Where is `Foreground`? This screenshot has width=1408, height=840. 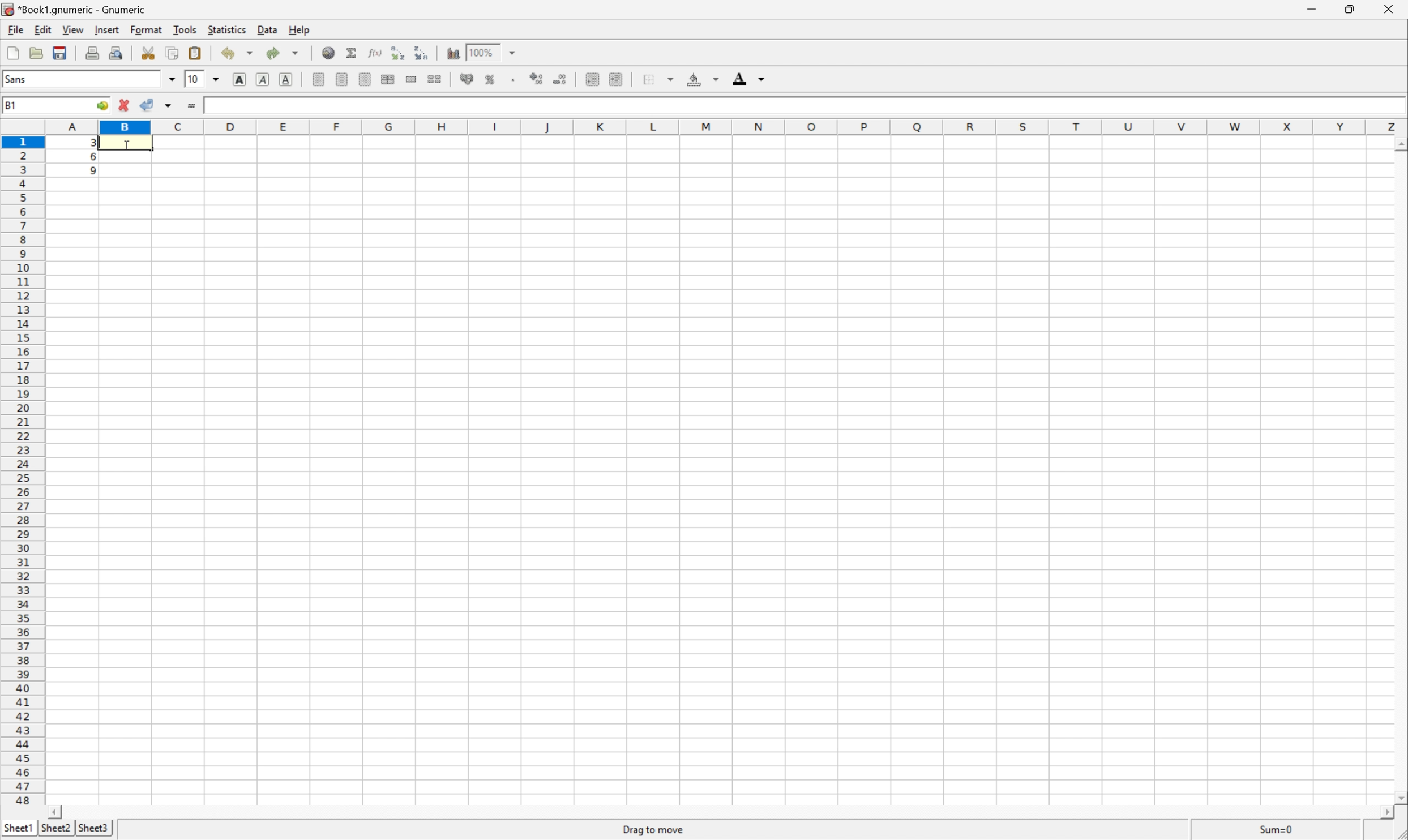
Foreground is located at coordinates (747, 79).